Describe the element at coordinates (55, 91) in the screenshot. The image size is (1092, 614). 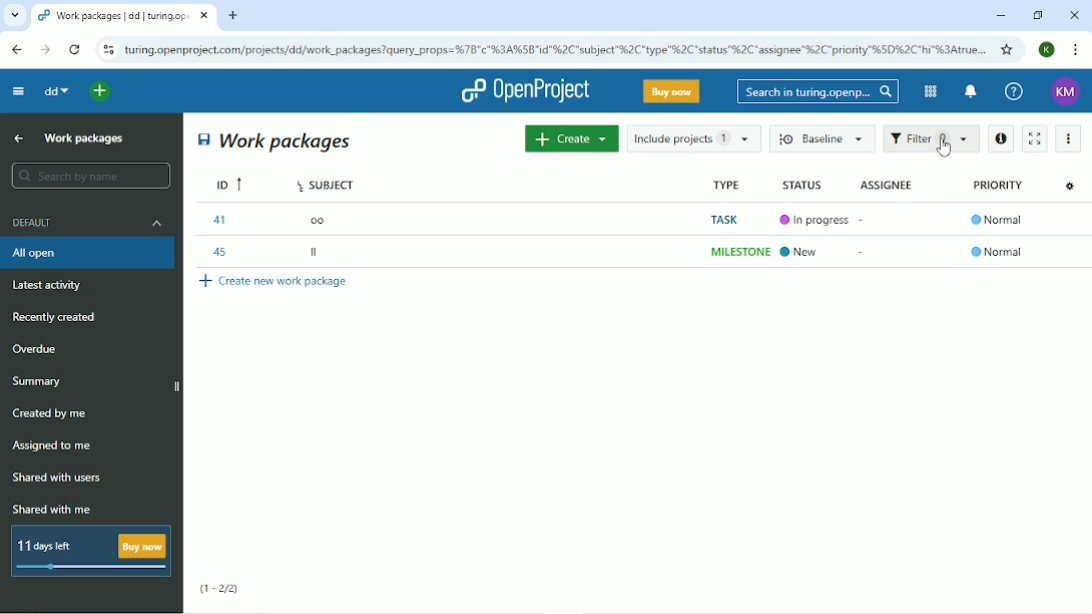
I see `dd` at that location.